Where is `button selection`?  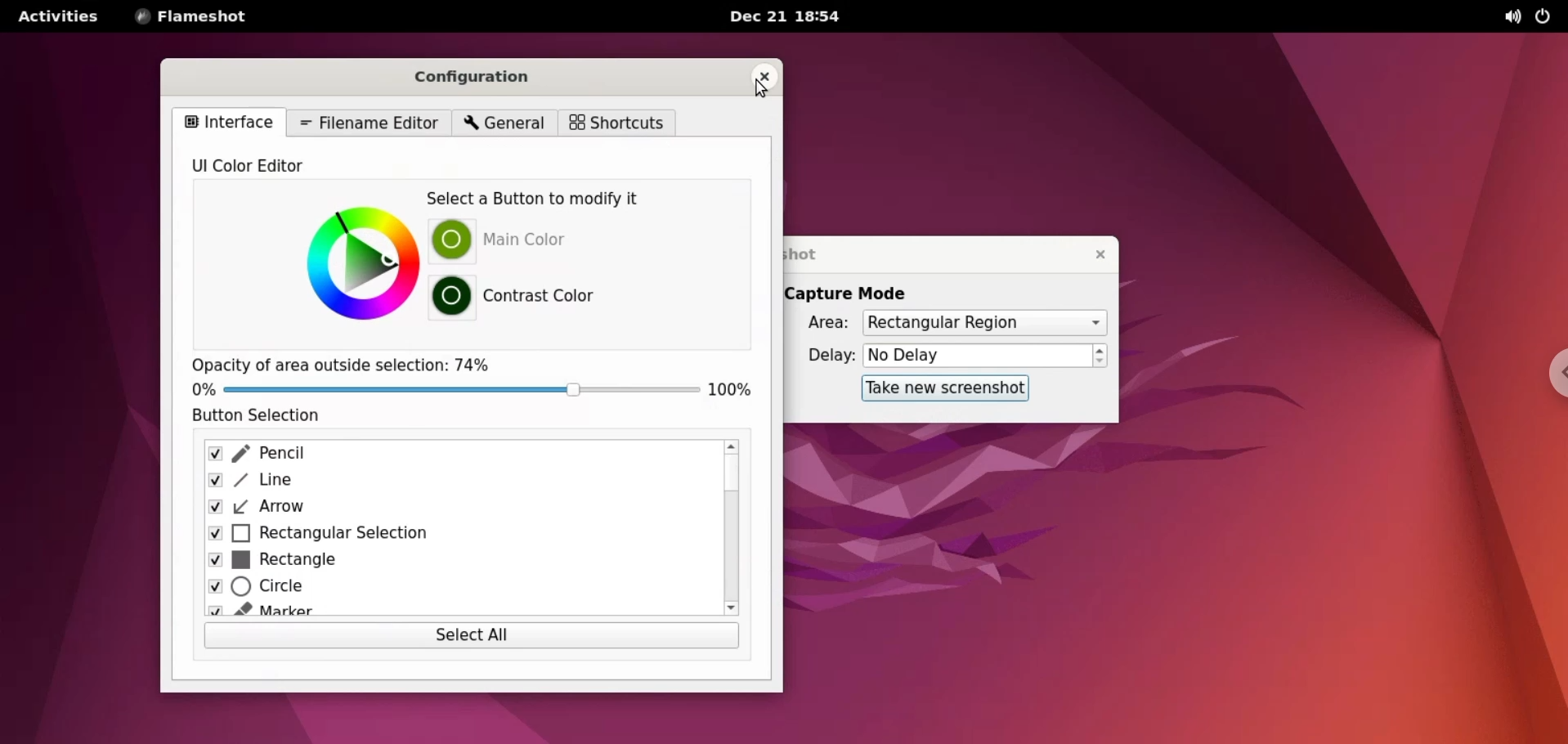
button selection is located at coordinates (263, 419).